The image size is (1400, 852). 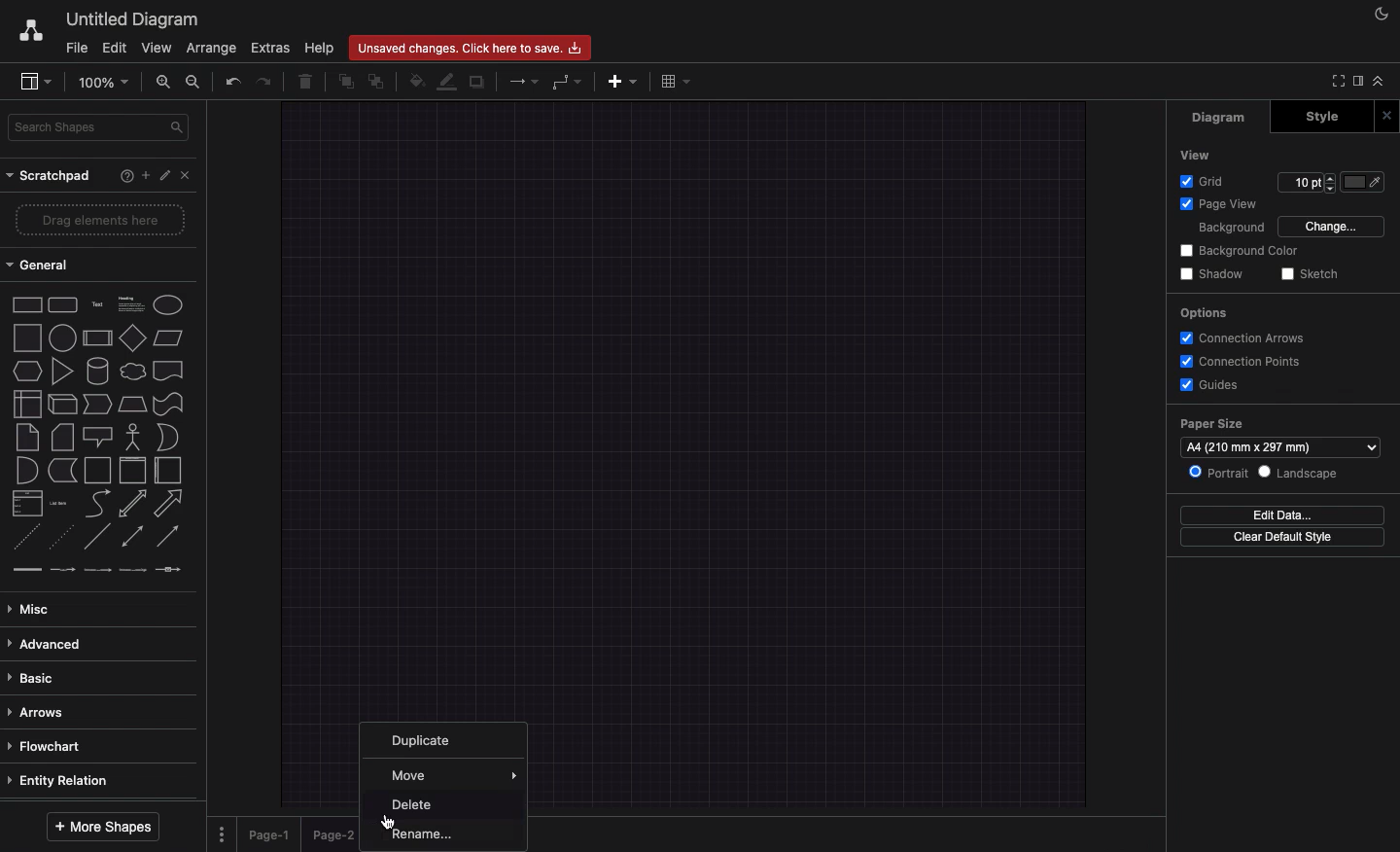 I want to click on Help, so click(x=124, y=175).